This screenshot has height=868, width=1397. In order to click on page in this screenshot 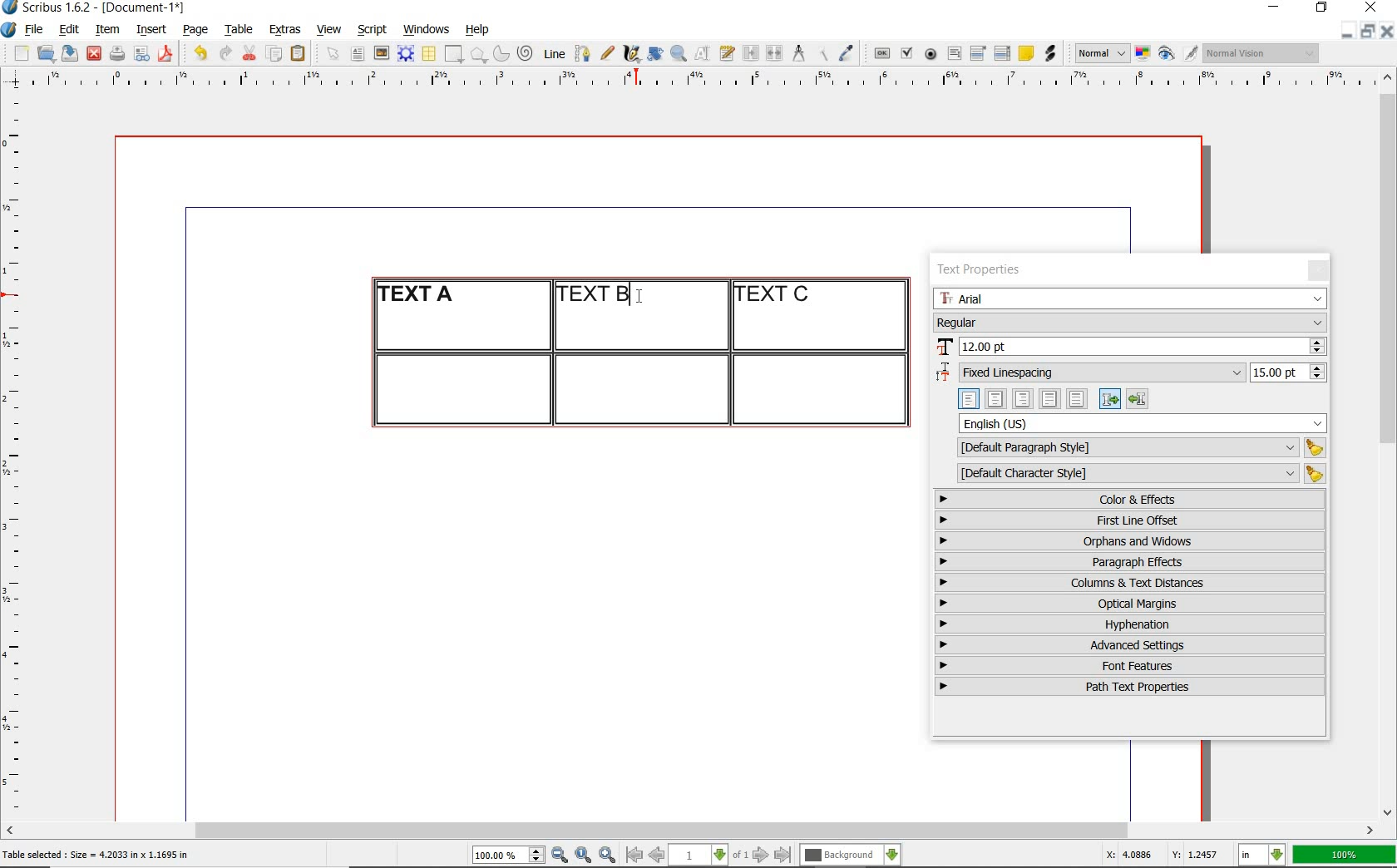, I will do `click(195, 29)`.